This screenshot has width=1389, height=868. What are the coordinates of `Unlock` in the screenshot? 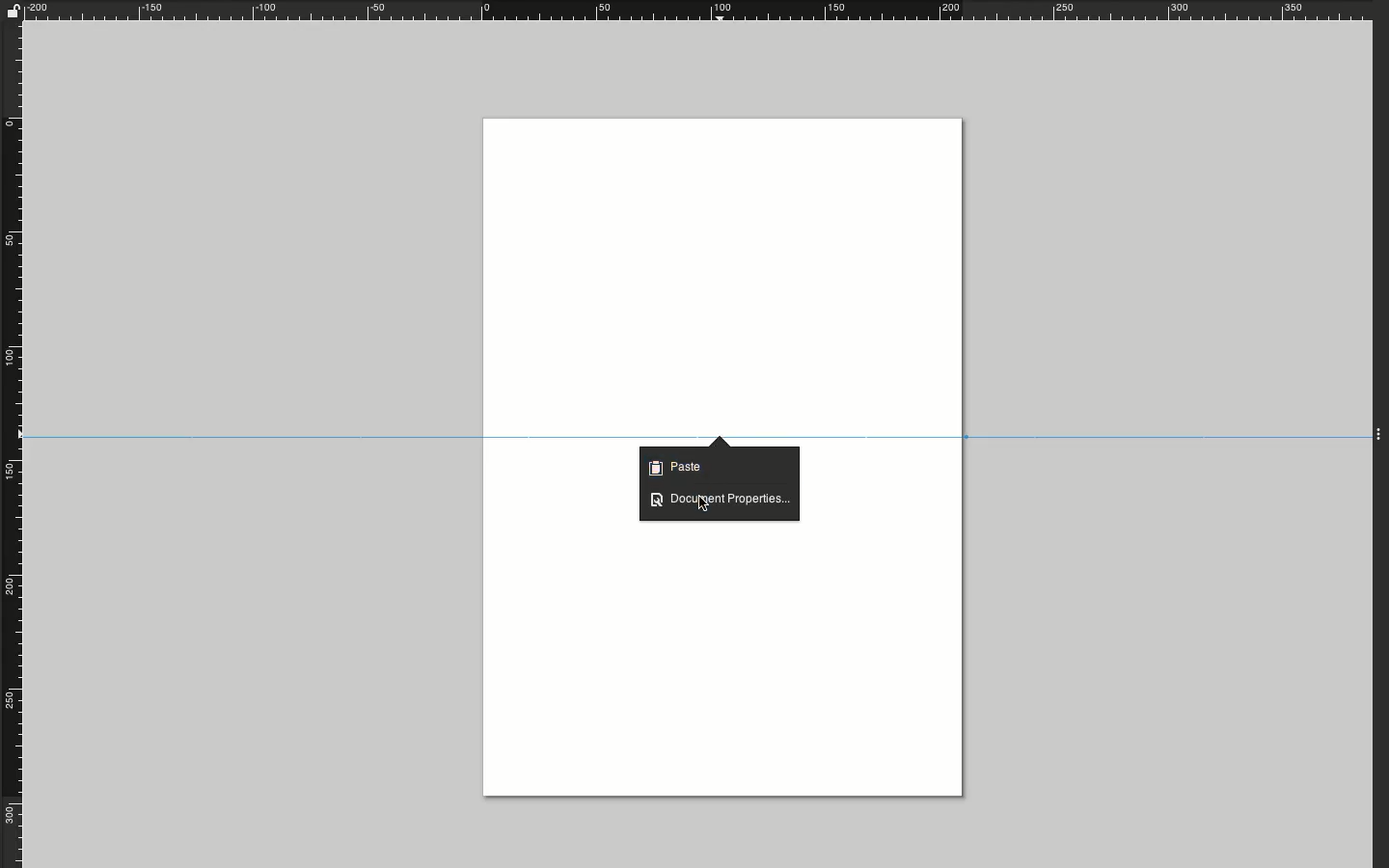 It's located at (13, 10).